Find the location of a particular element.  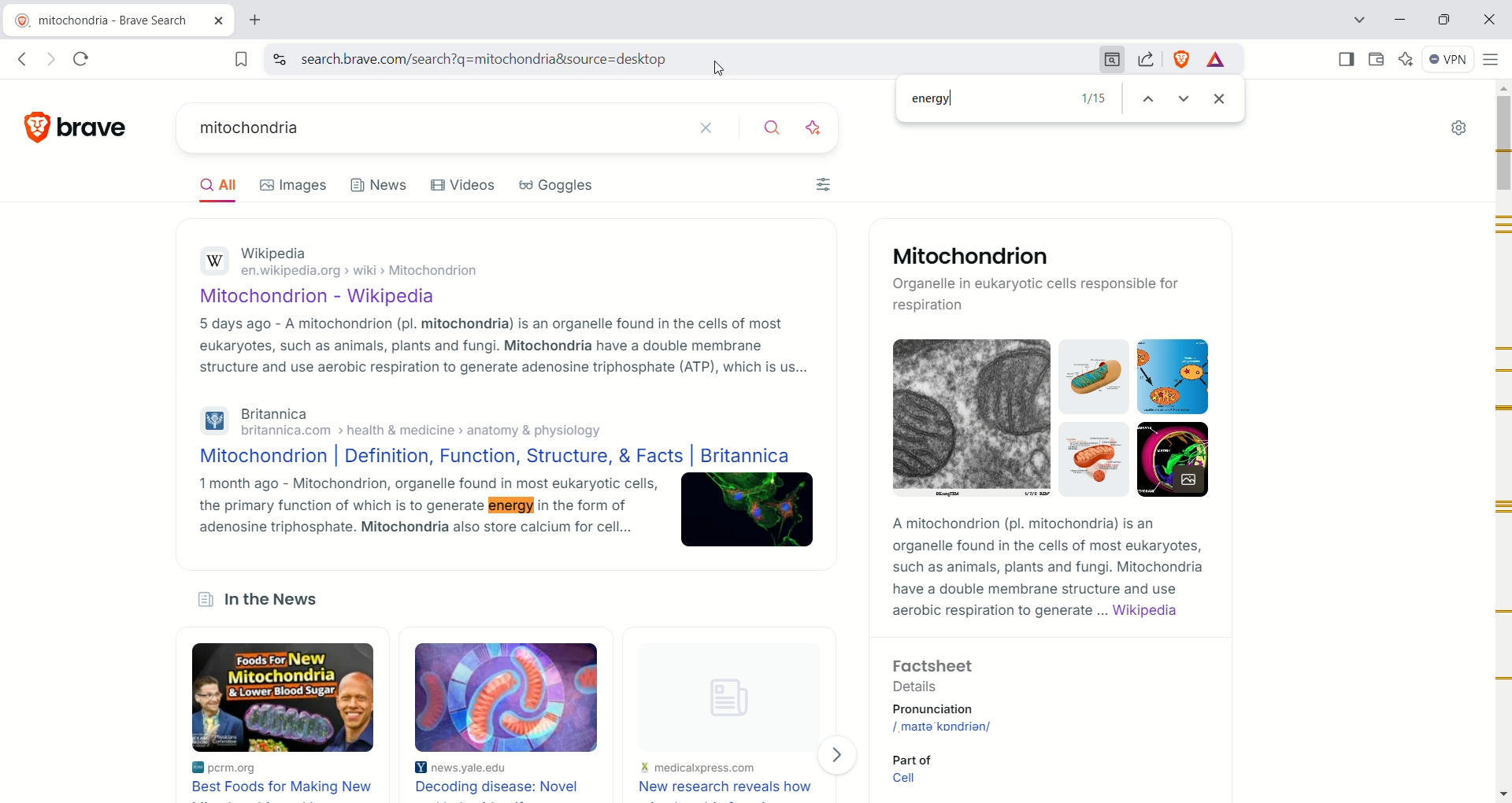

news.yale.edu is located at coordinates (466, 769).